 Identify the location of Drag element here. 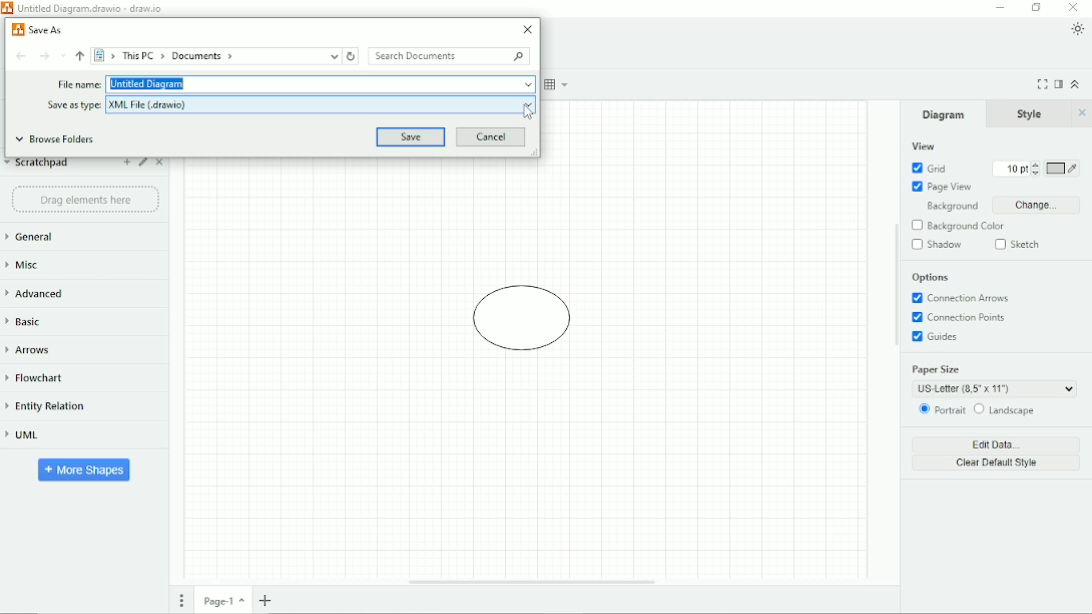
(85, 200).